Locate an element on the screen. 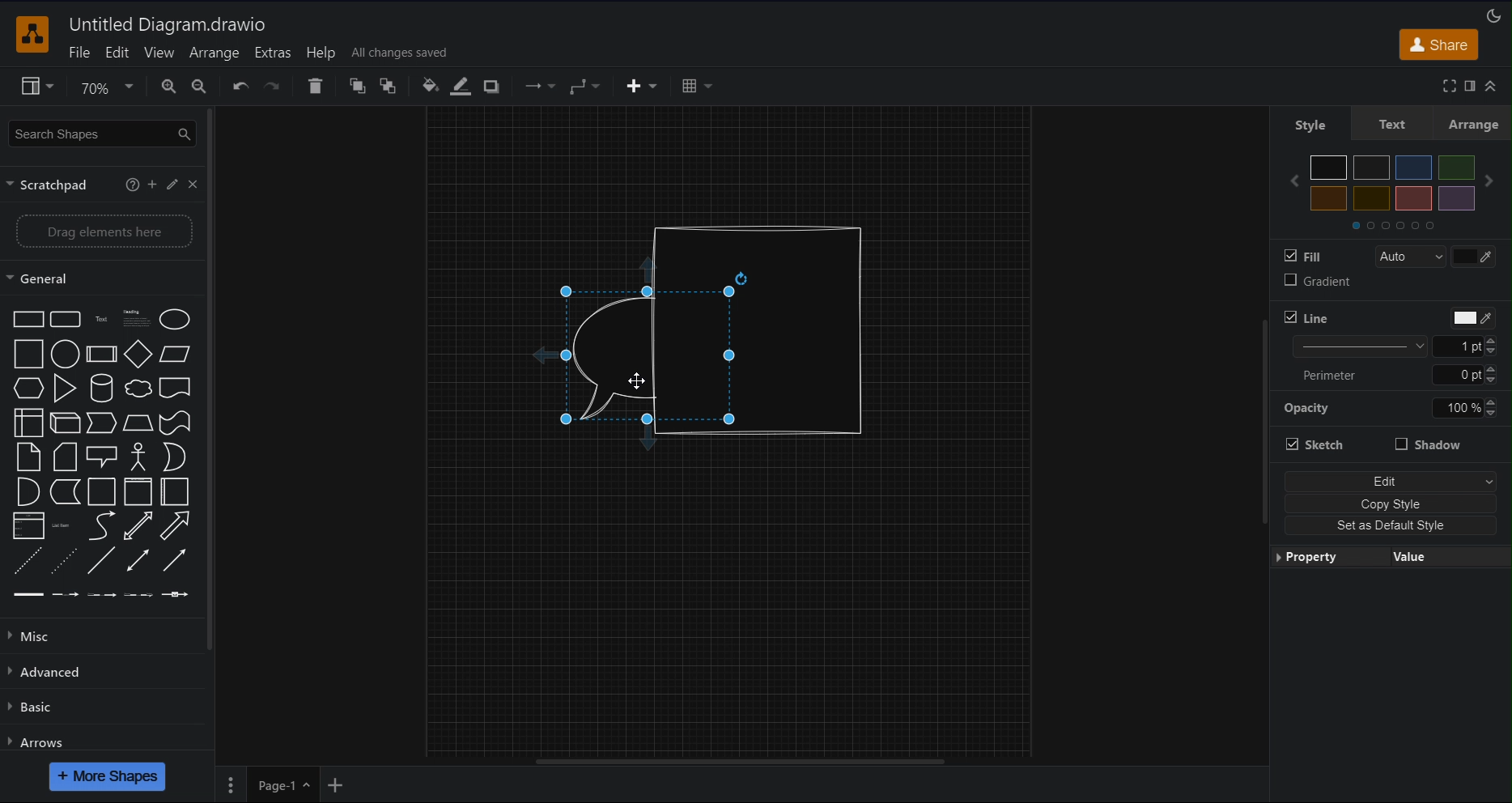 This screenshot has width=1512, height=803. Parallelogram is located at coordinates (175, 354).